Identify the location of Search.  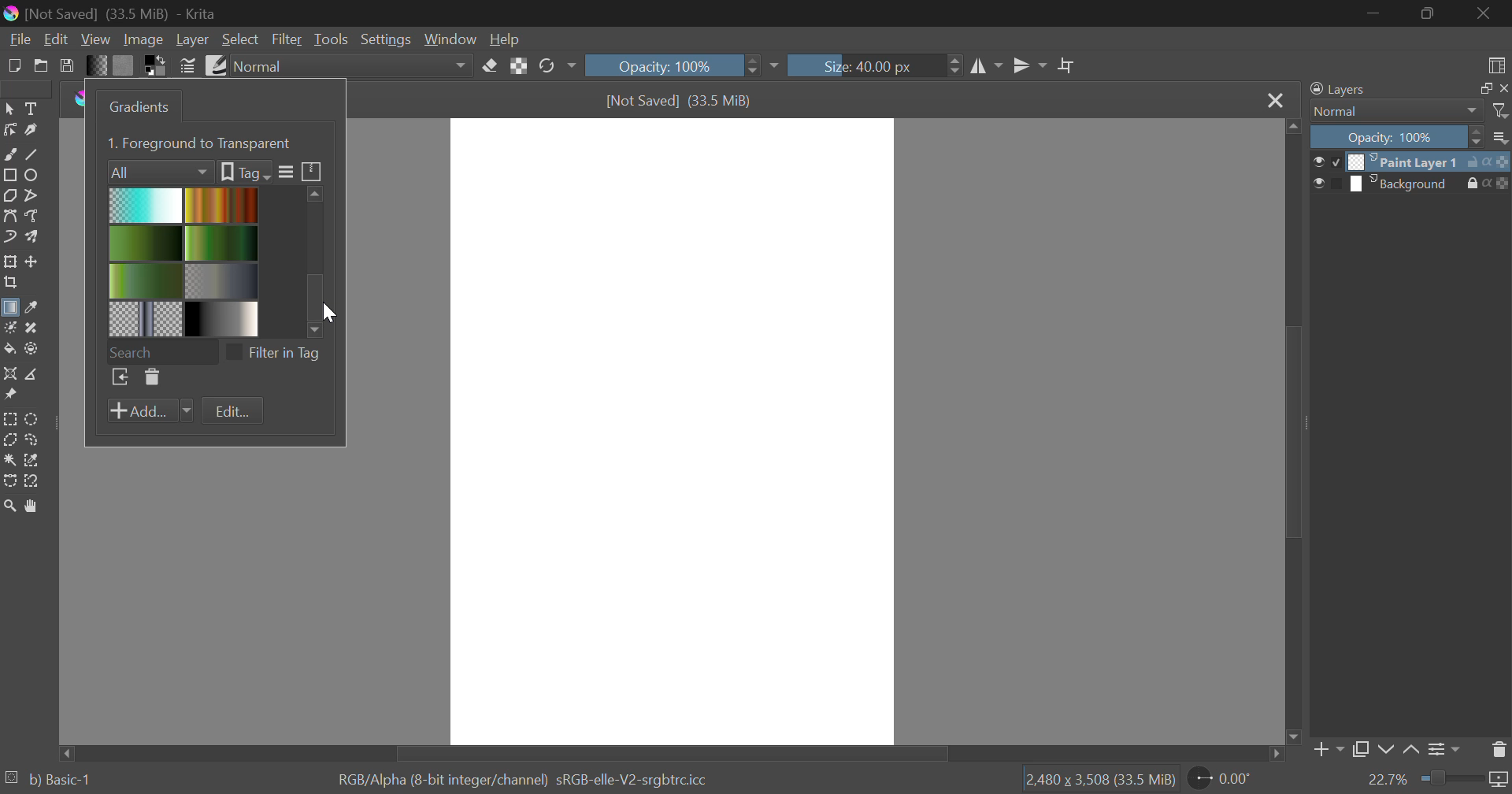
(161, 350).